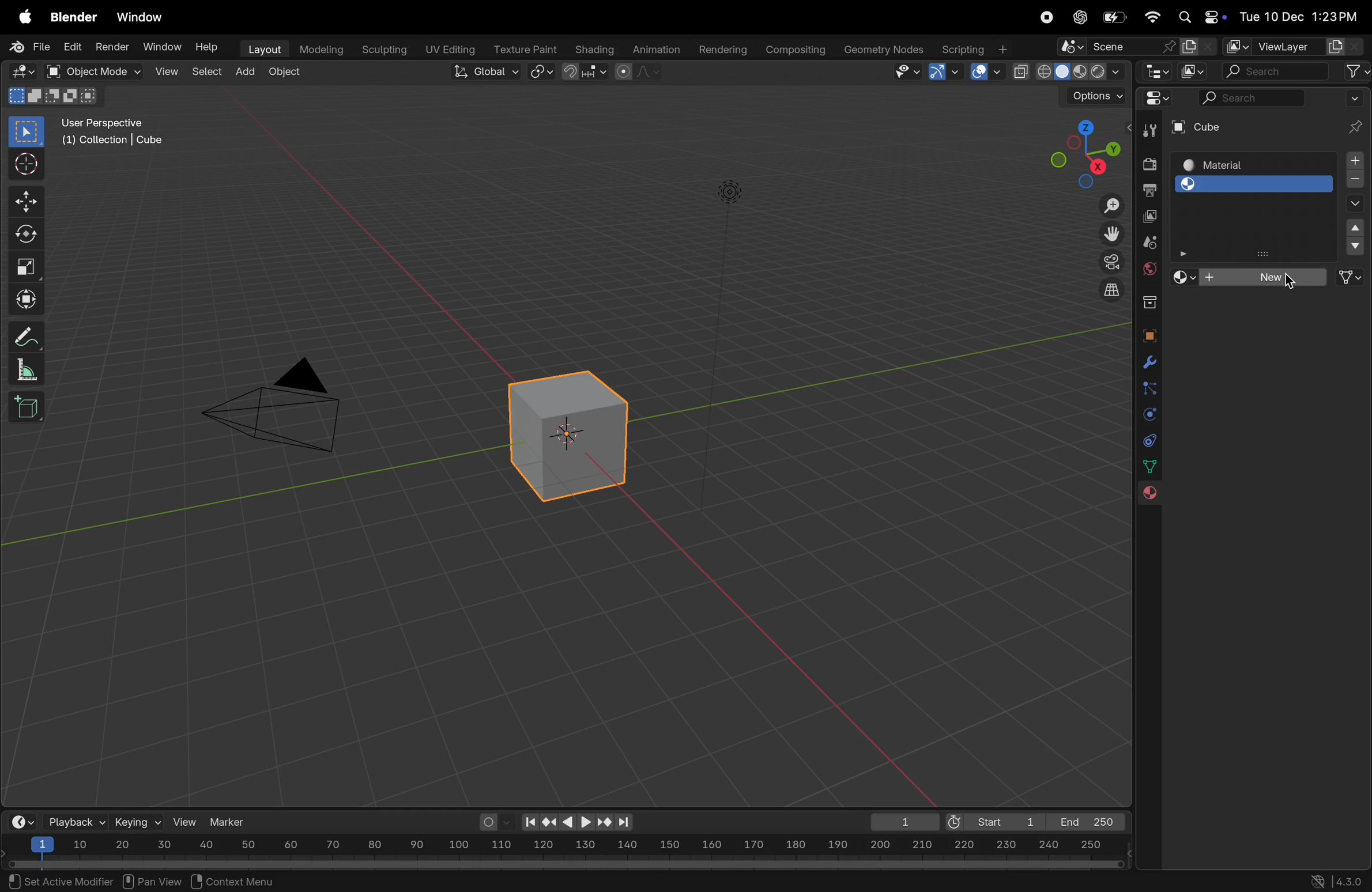 The width and height of the screenshot is (1372, 892). I want to click on 3D cube, so click(26, 406).